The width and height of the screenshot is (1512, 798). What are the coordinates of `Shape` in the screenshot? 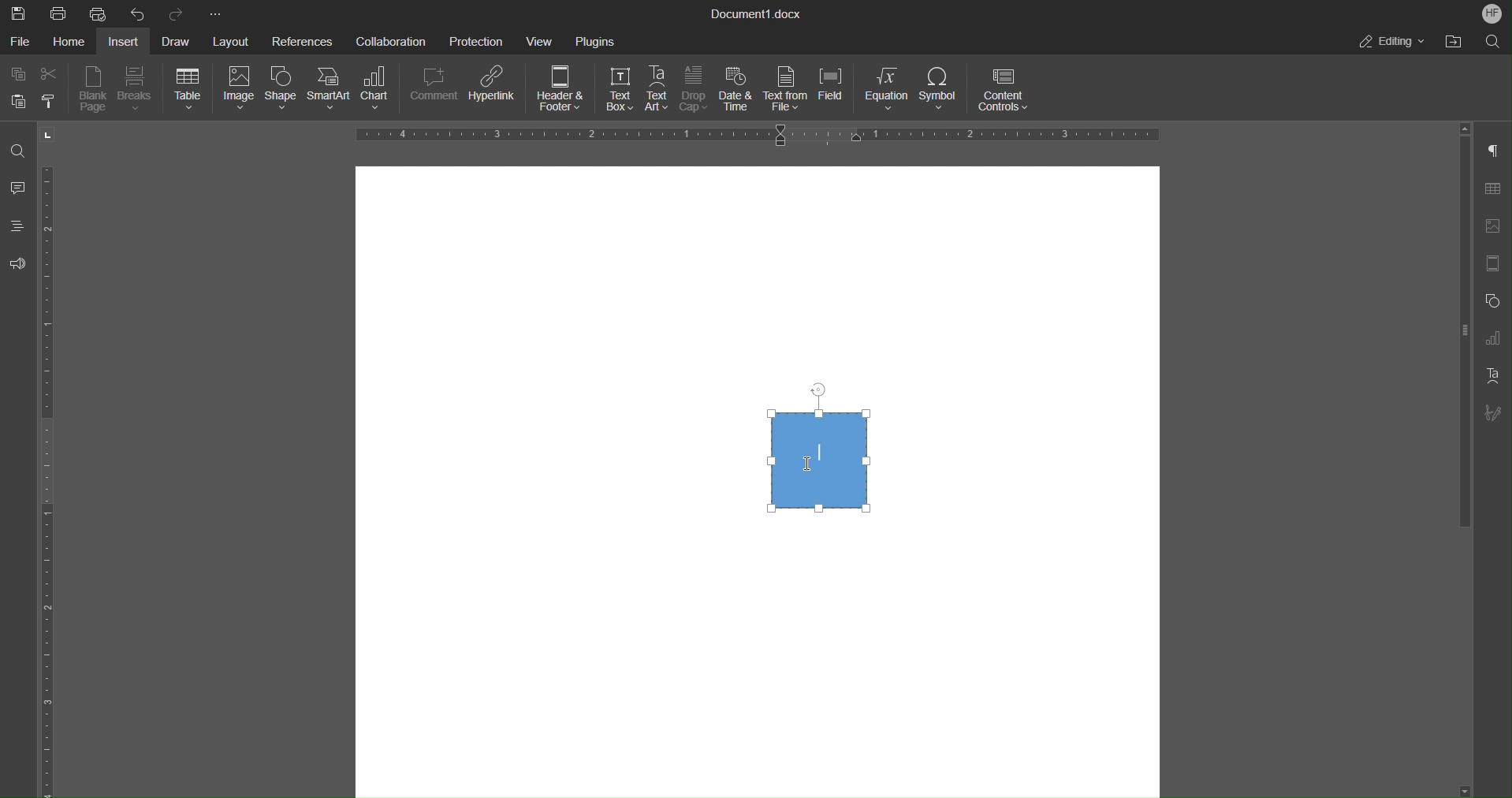 It's located at (281, 91).